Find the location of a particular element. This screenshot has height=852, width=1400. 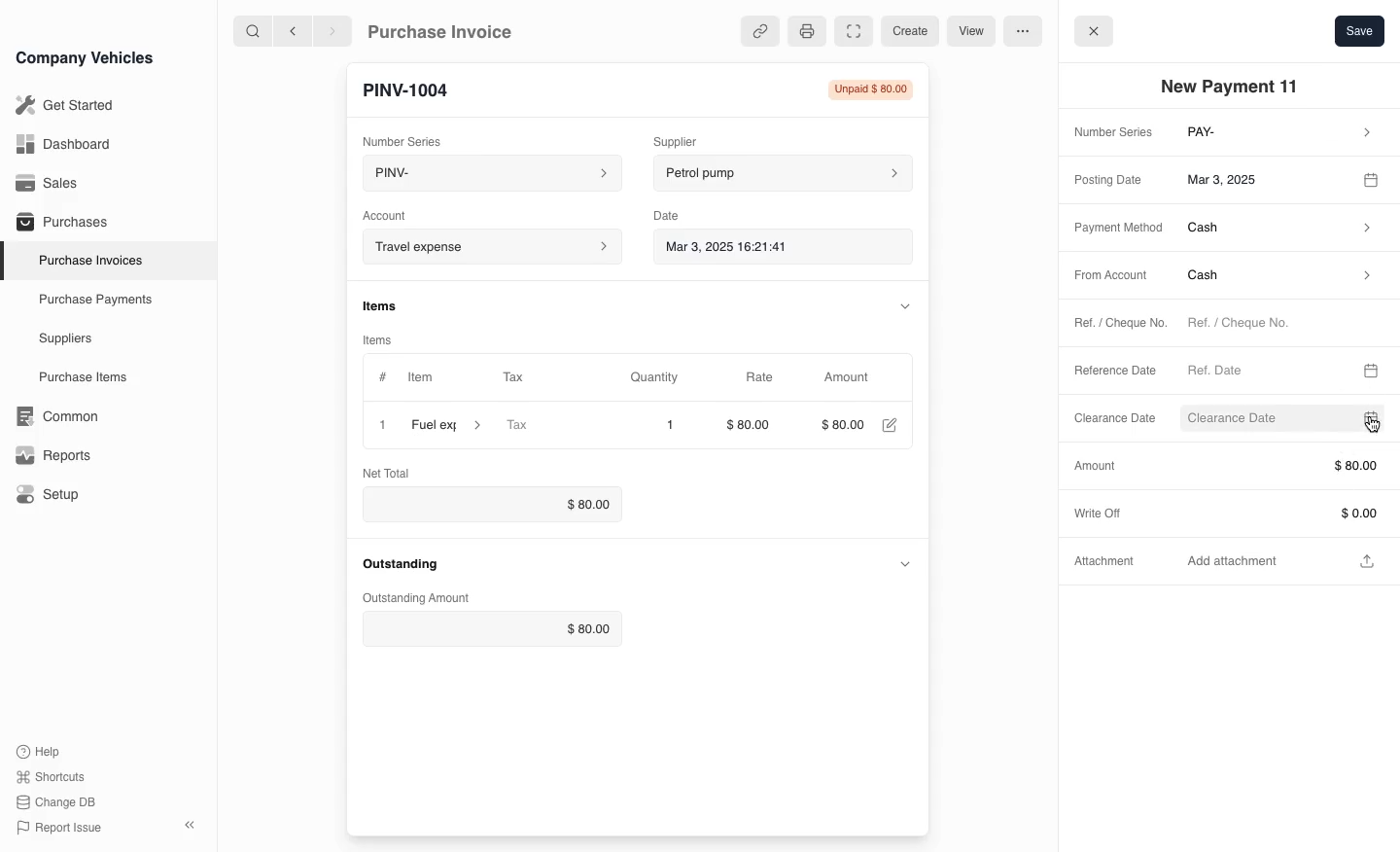

$000 is located at coordinates (842, 425).